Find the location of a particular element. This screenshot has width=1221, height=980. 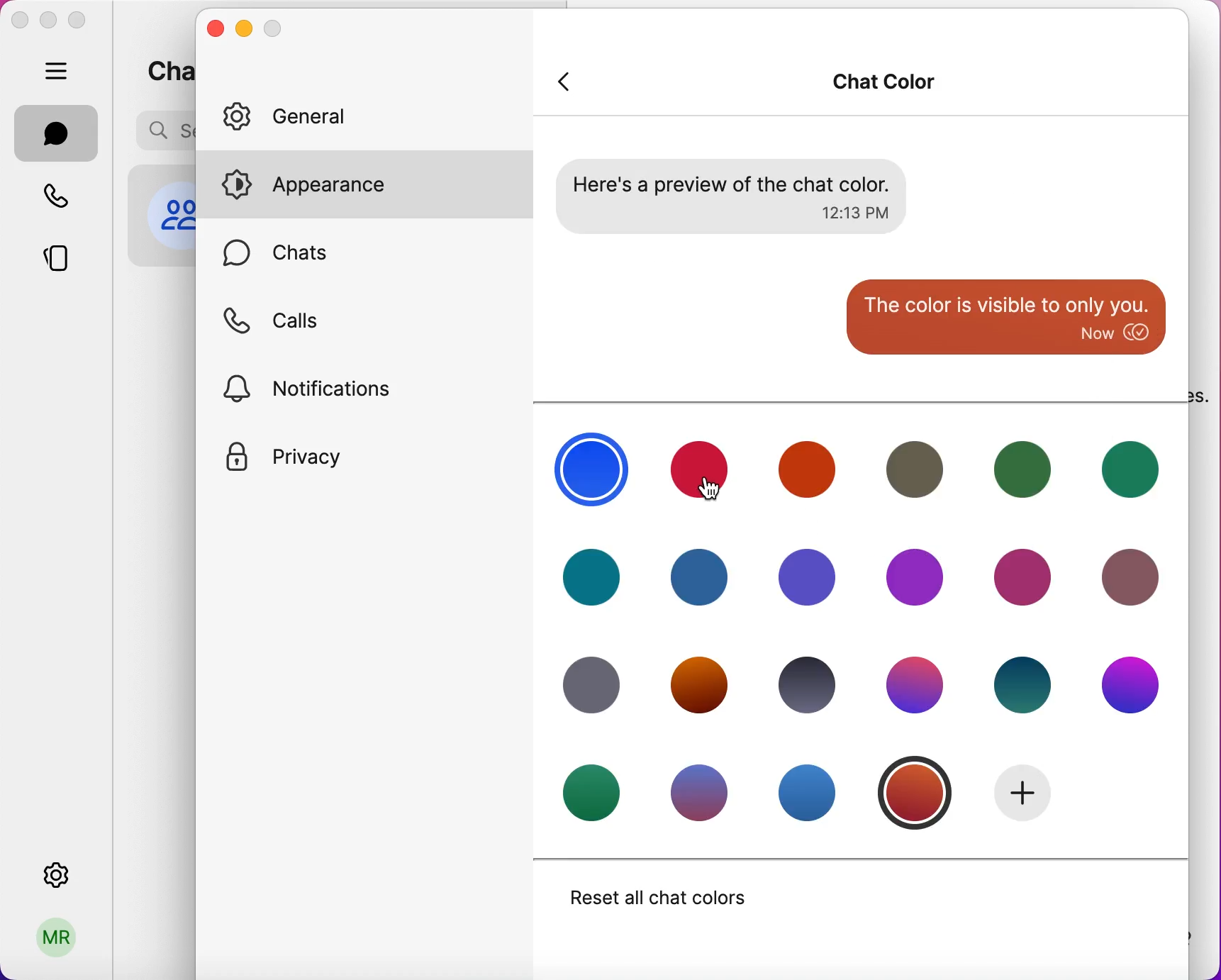

profile picture is located at coordinates (169, 213).